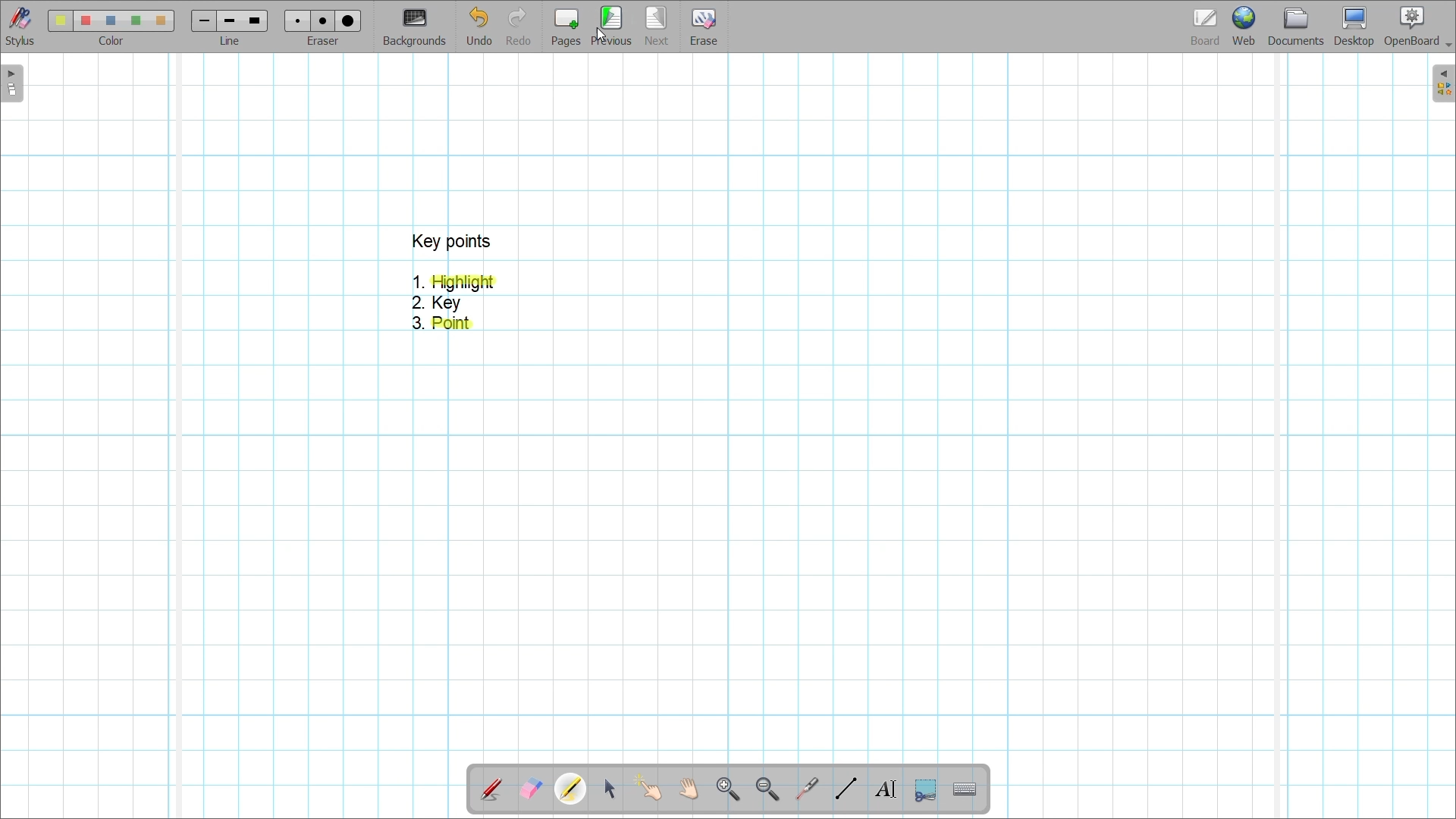  I want to click on 3. Point, so click(444, 324).